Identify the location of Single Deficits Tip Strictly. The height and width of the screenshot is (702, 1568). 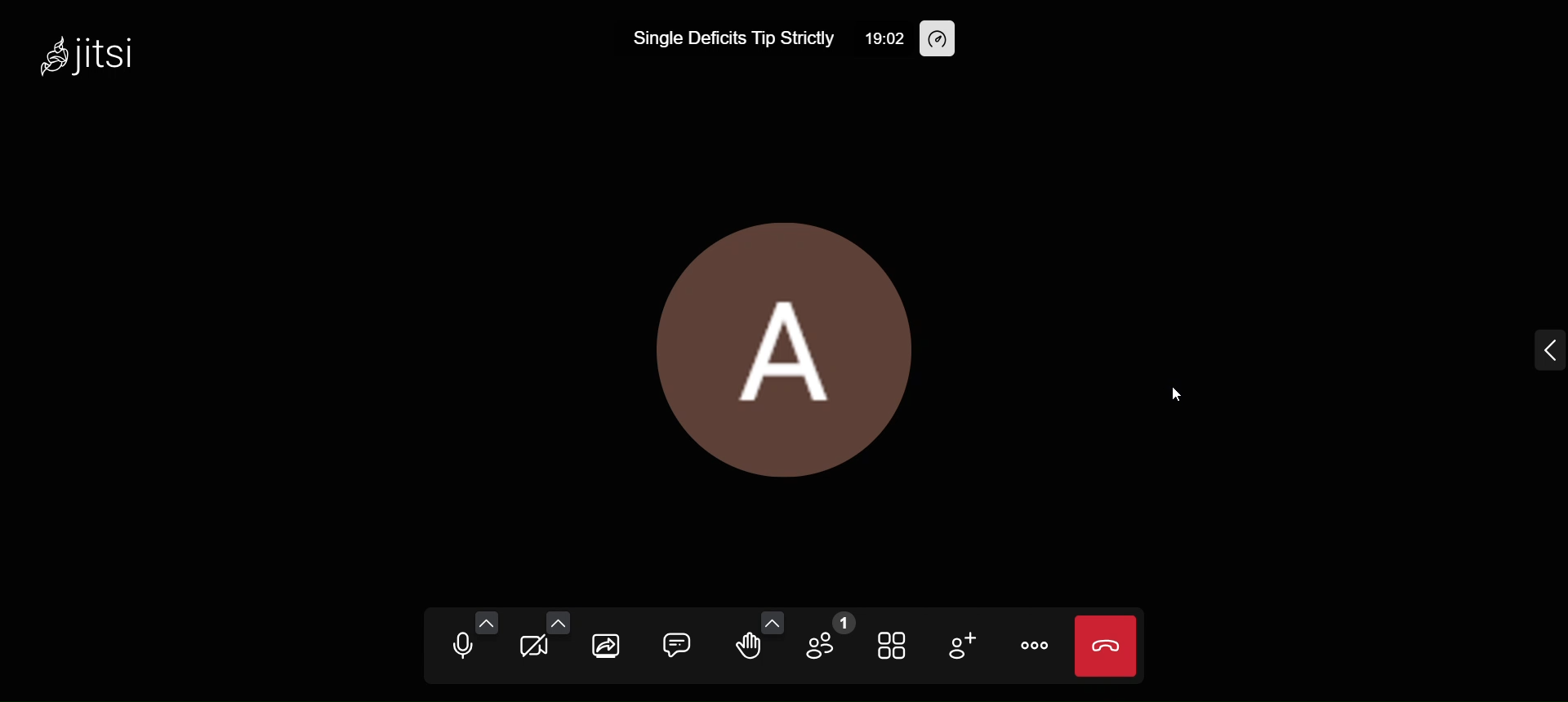
(719, 42).